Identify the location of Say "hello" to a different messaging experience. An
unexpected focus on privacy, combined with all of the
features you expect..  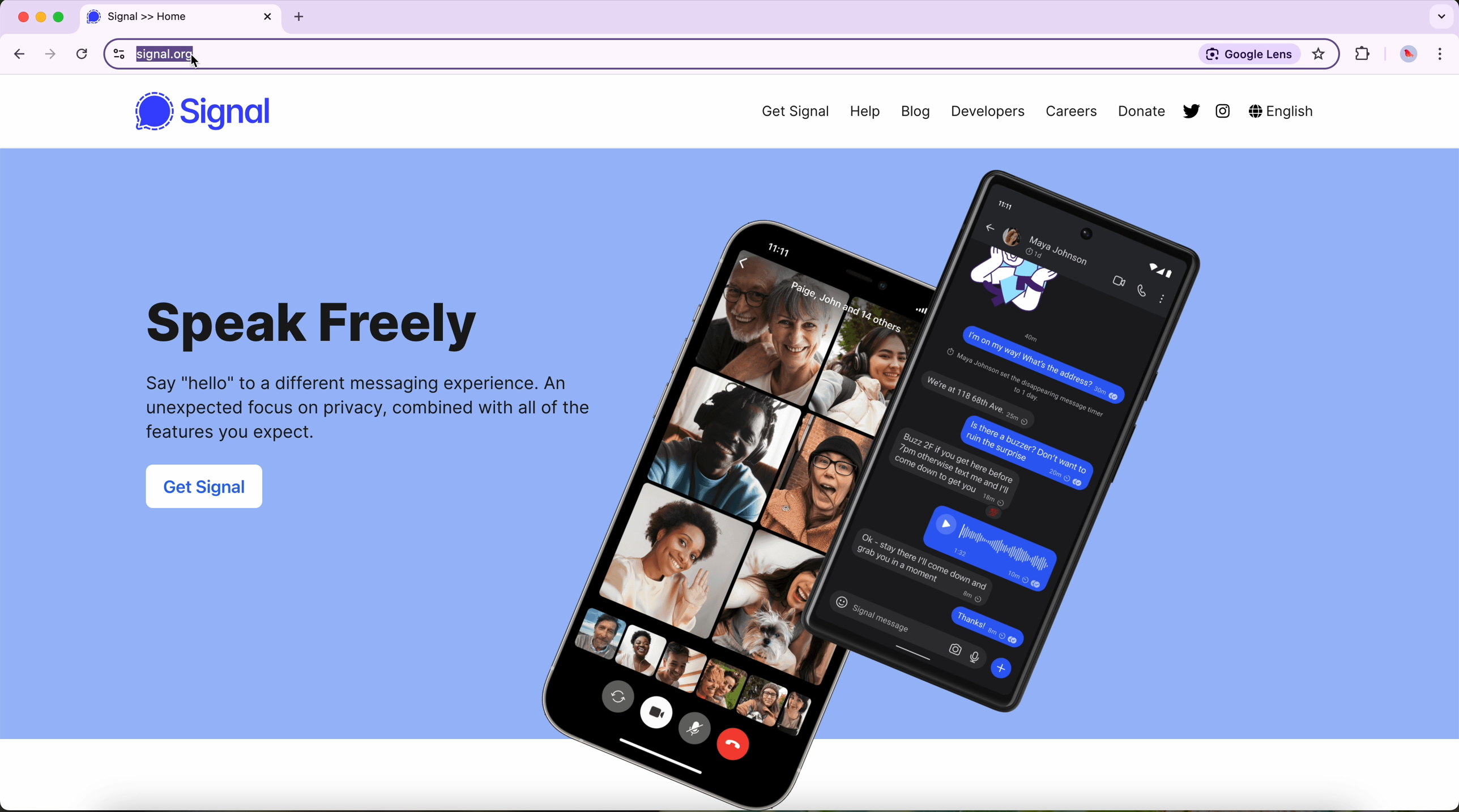
(356, 412).